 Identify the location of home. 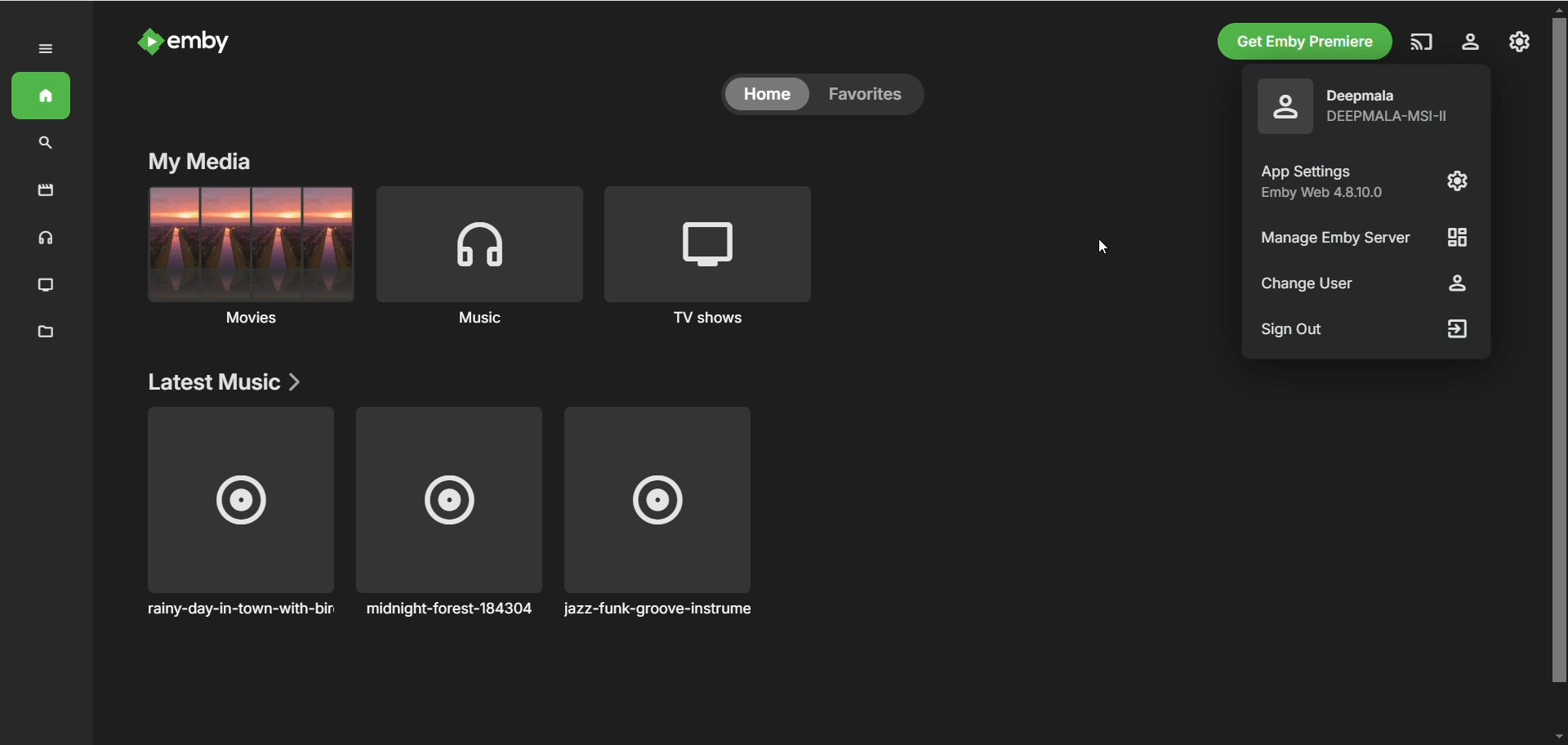
(41, 96).